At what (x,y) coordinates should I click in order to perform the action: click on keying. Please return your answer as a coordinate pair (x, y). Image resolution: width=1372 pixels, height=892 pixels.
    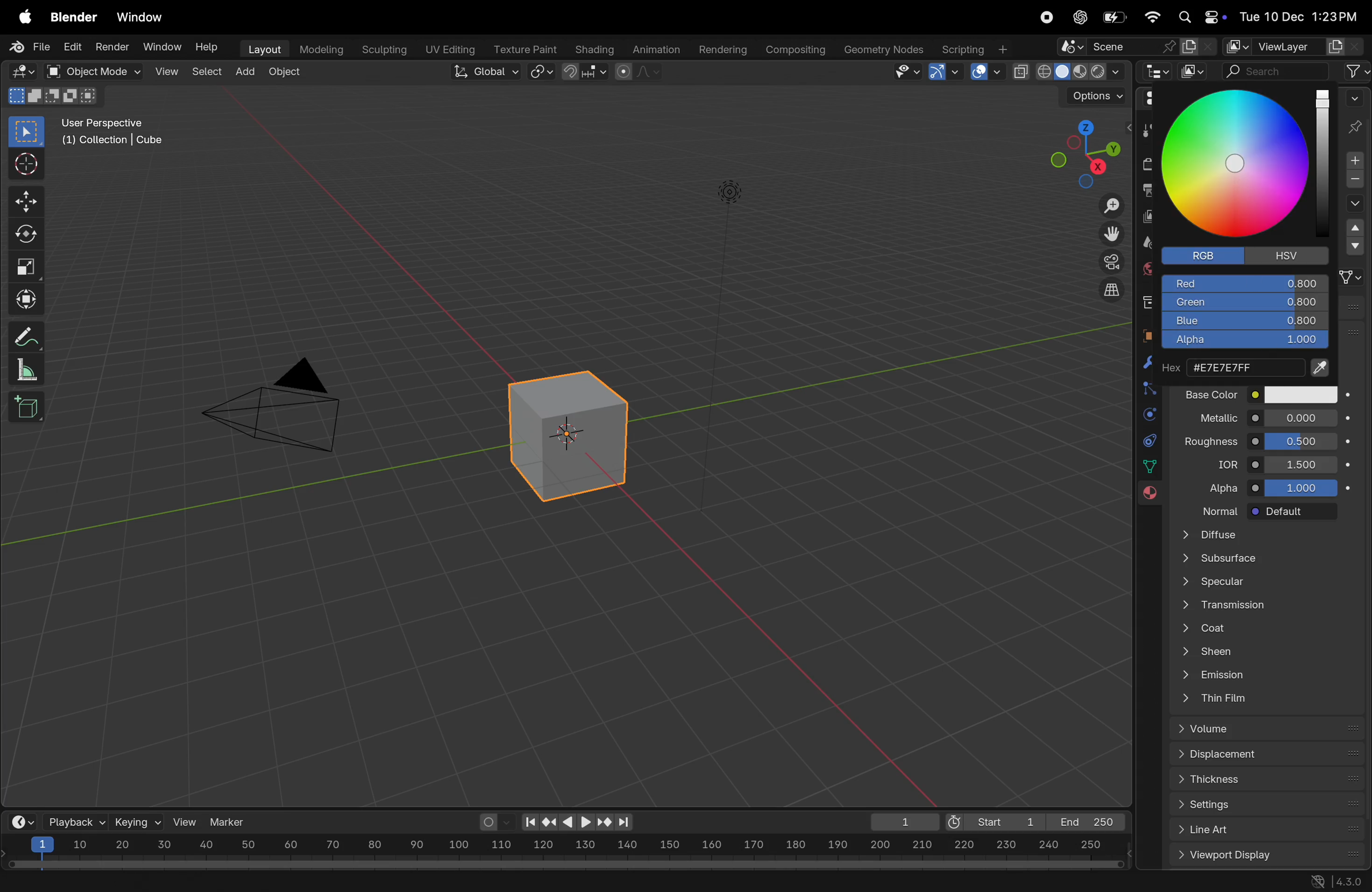
    Looking at the image, I should click on (137, 821).